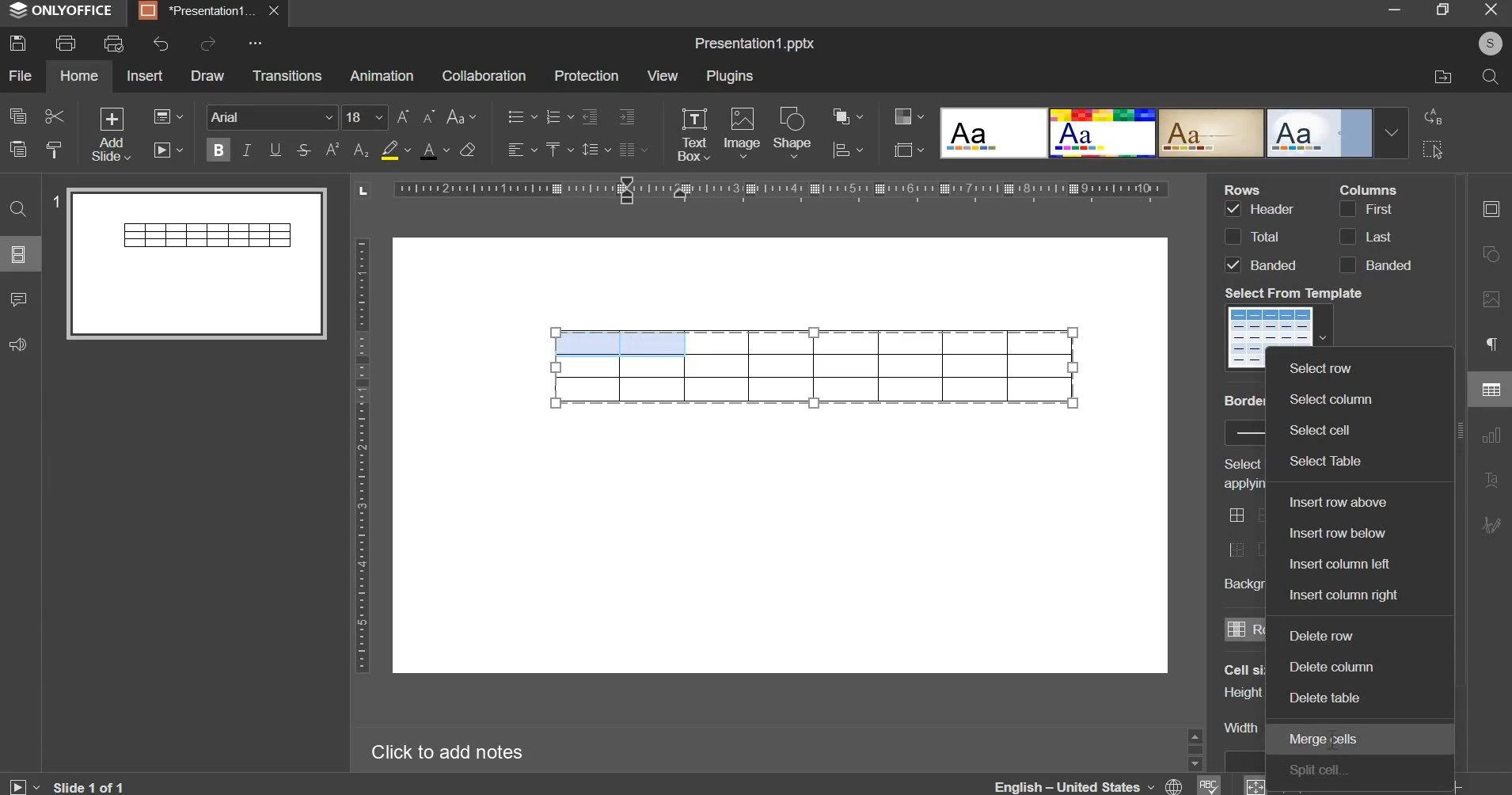 The height and width of the screenshot is (795, 1512). I want to click on Background color, so click(1243, 586).